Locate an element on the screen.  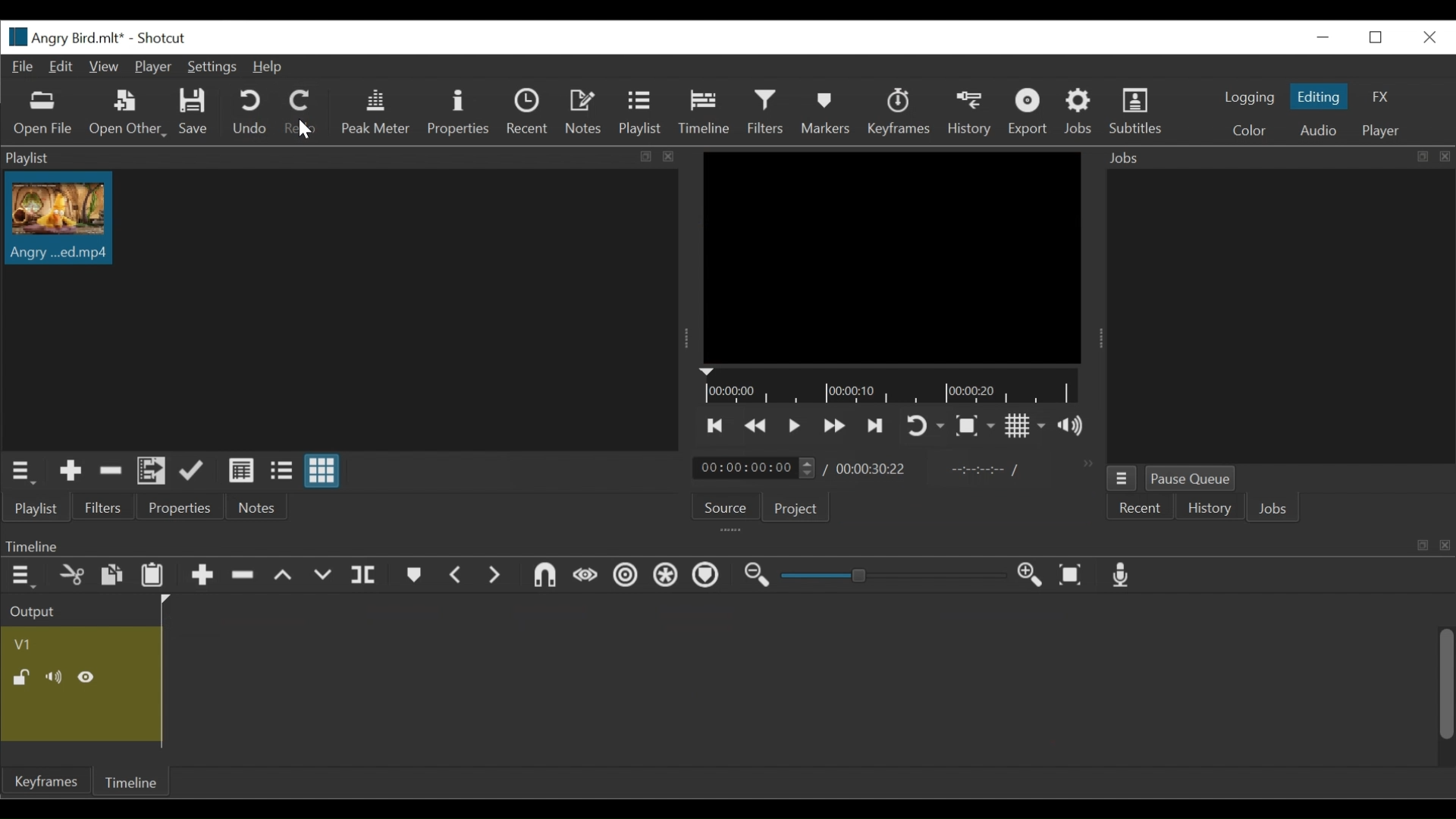
Jobs is located at coordinates (1081, 111).